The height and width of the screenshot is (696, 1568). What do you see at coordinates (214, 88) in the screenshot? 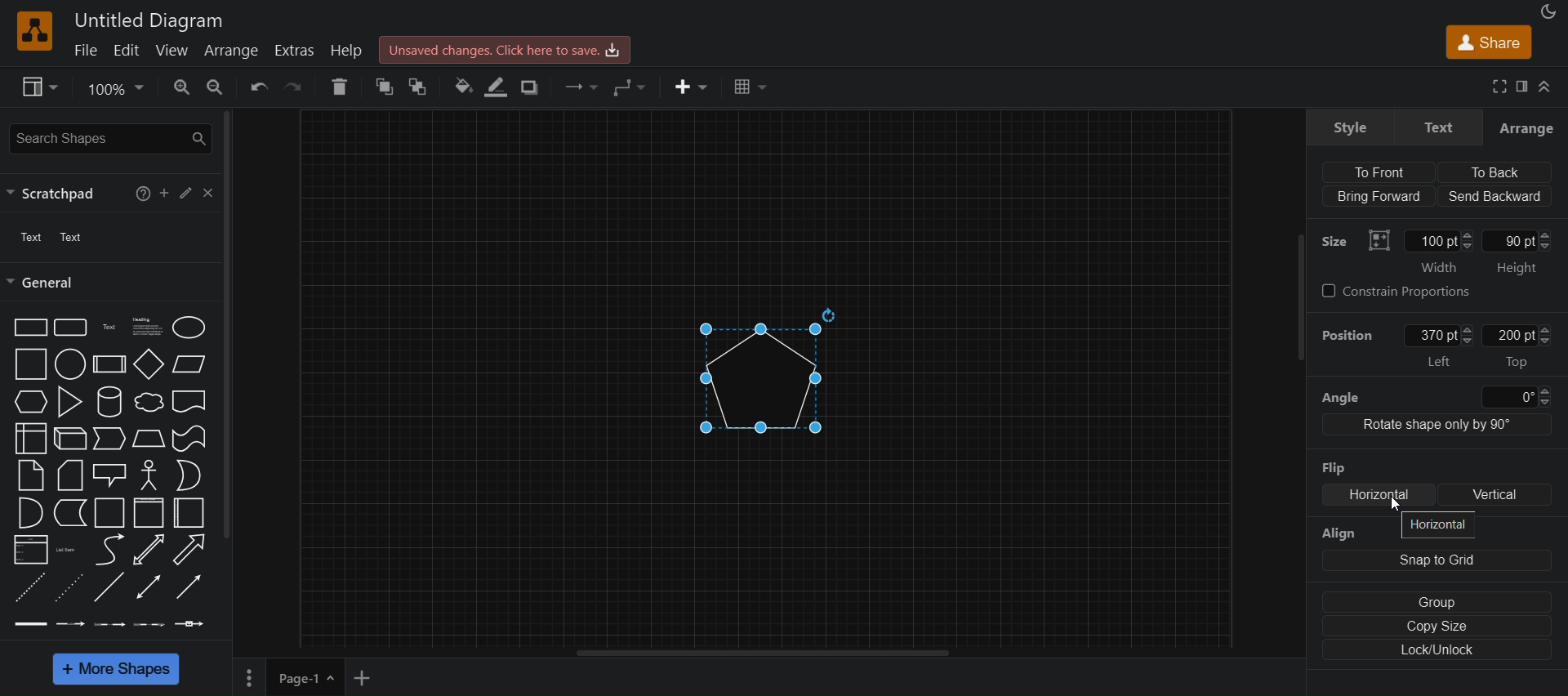
I see `zoom in` at bounding box center [214, 88].